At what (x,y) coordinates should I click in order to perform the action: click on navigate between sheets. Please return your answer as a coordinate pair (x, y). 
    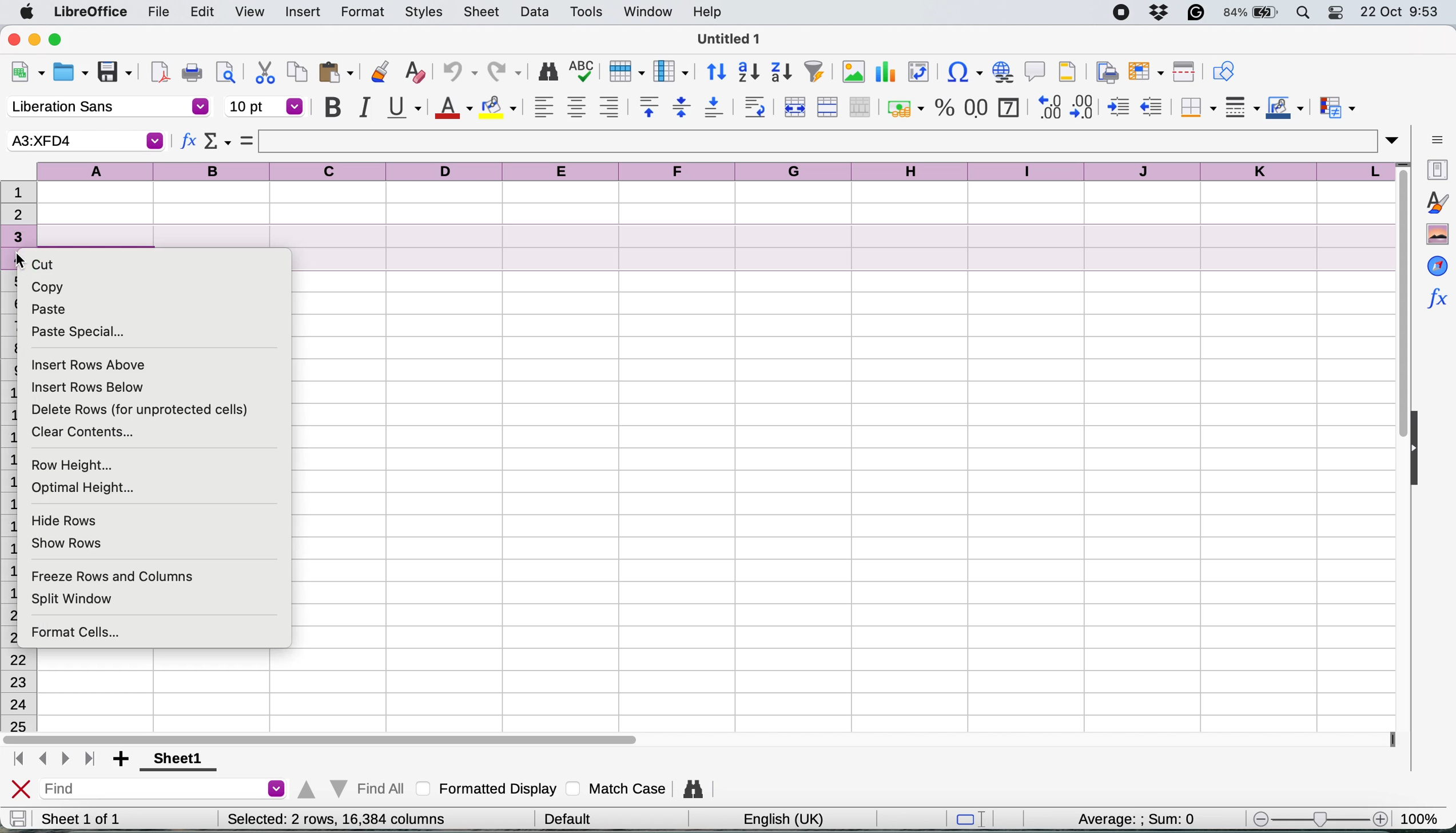
    Looking at the image, I should click on (53, 760).